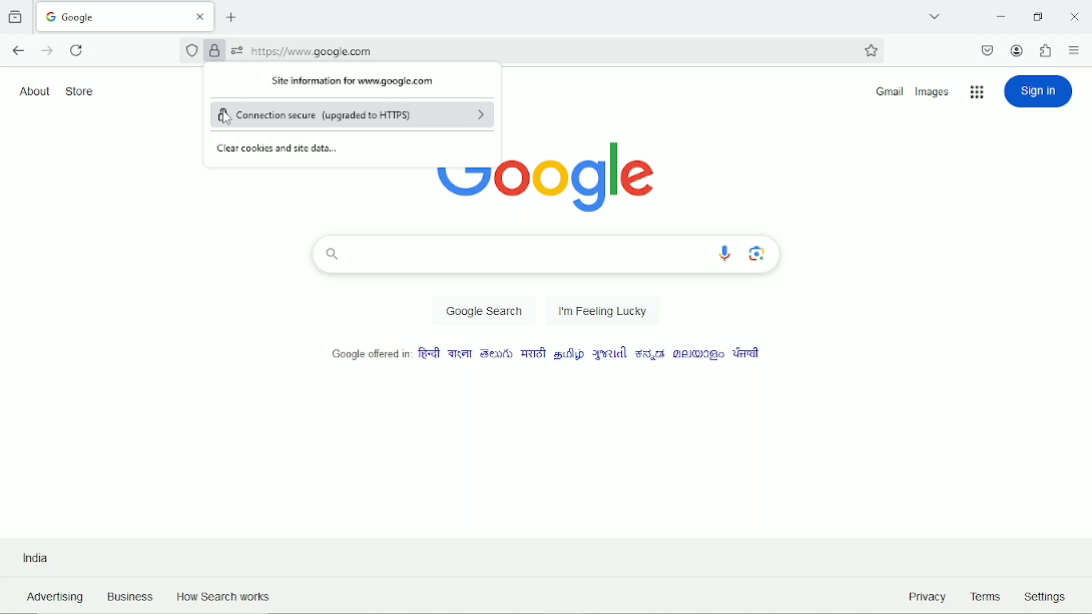 The image size is (1092, 614). What do you see at coordinates (34, 90) in the screenshot?
I see `About` at bounding box center [34, 90].